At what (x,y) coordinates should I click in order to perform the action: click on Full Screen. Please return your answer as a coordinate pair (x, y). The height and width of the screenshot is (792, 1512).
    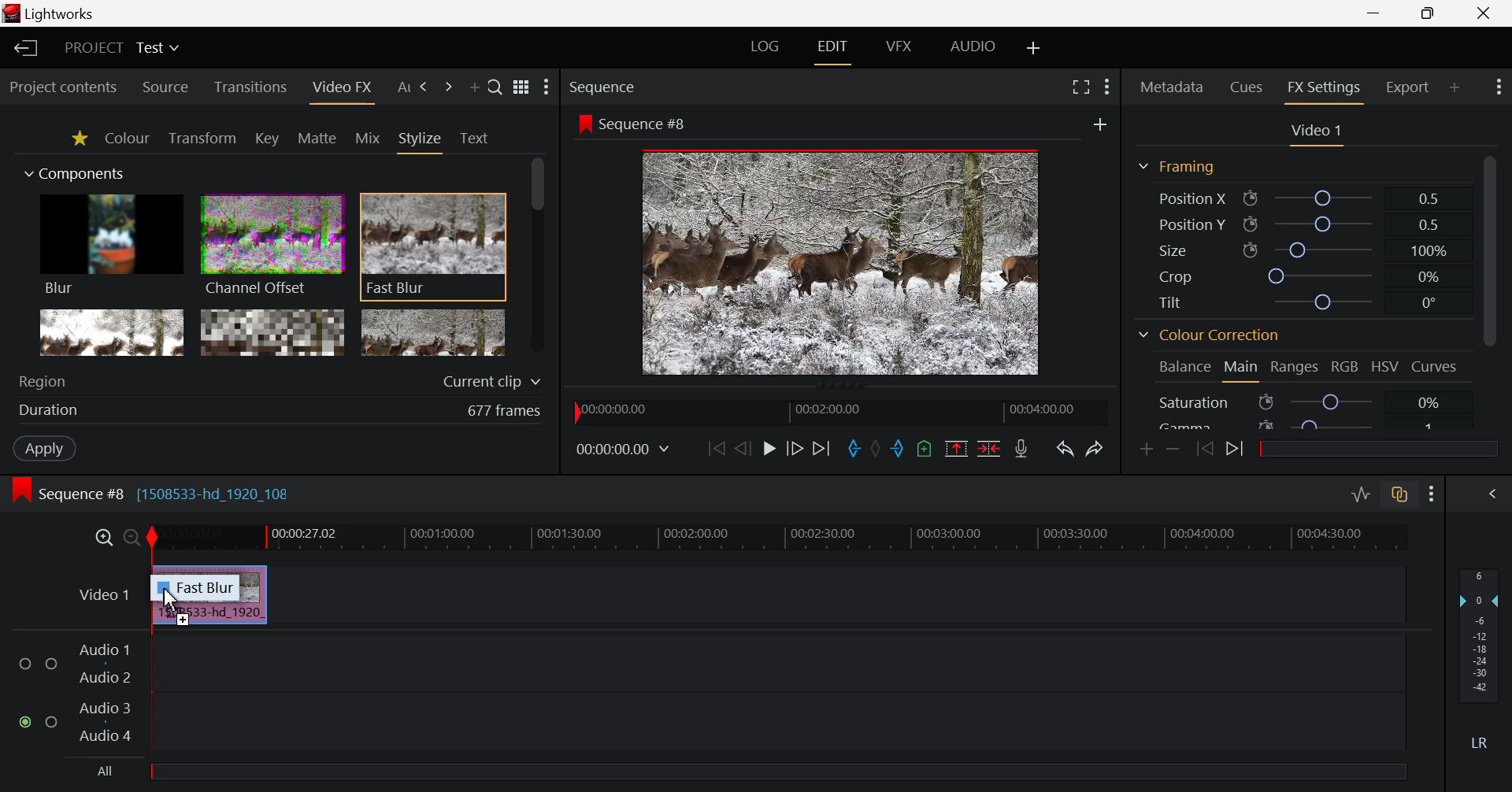
    Looking at the image, I should click on (1080, 89).